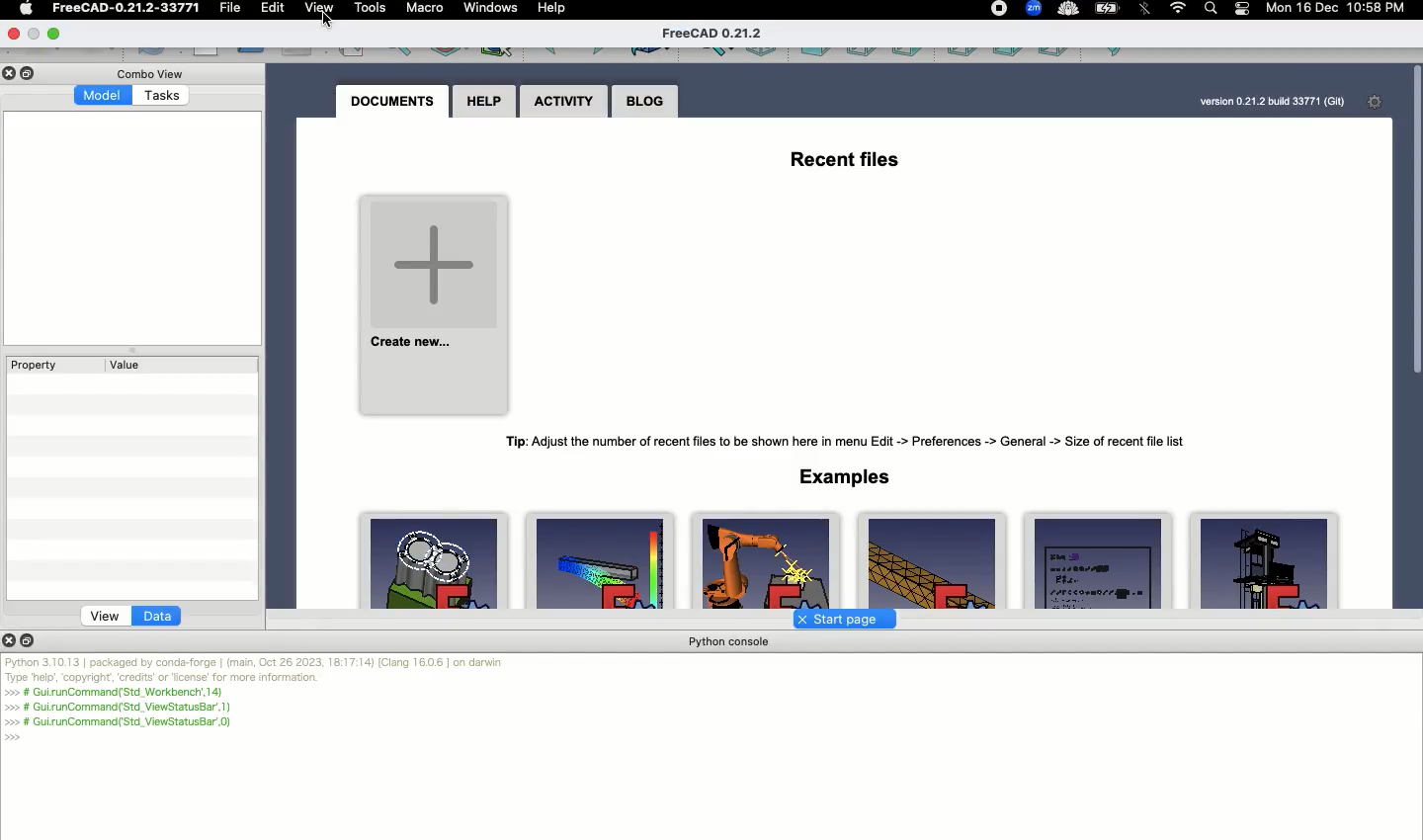 Image resolution: width=1423 pixels, height=840 pixels. I want to click on Close, so click(13, 73).